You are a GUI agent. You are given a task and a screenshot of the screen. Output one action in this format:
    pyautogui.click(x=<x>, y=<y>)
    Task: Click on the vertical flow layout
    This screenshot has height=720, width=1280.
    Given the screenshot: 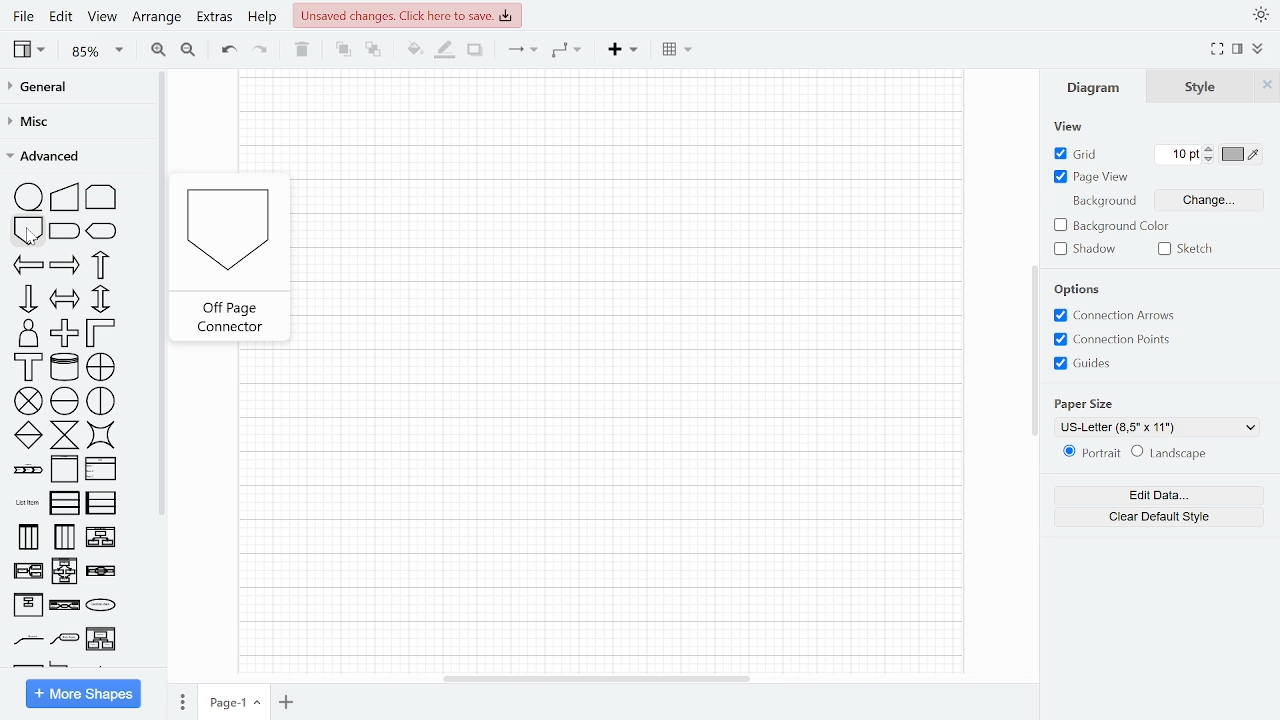 What is the action you would take?
    pyautogui.click(x=28, y=573)
    